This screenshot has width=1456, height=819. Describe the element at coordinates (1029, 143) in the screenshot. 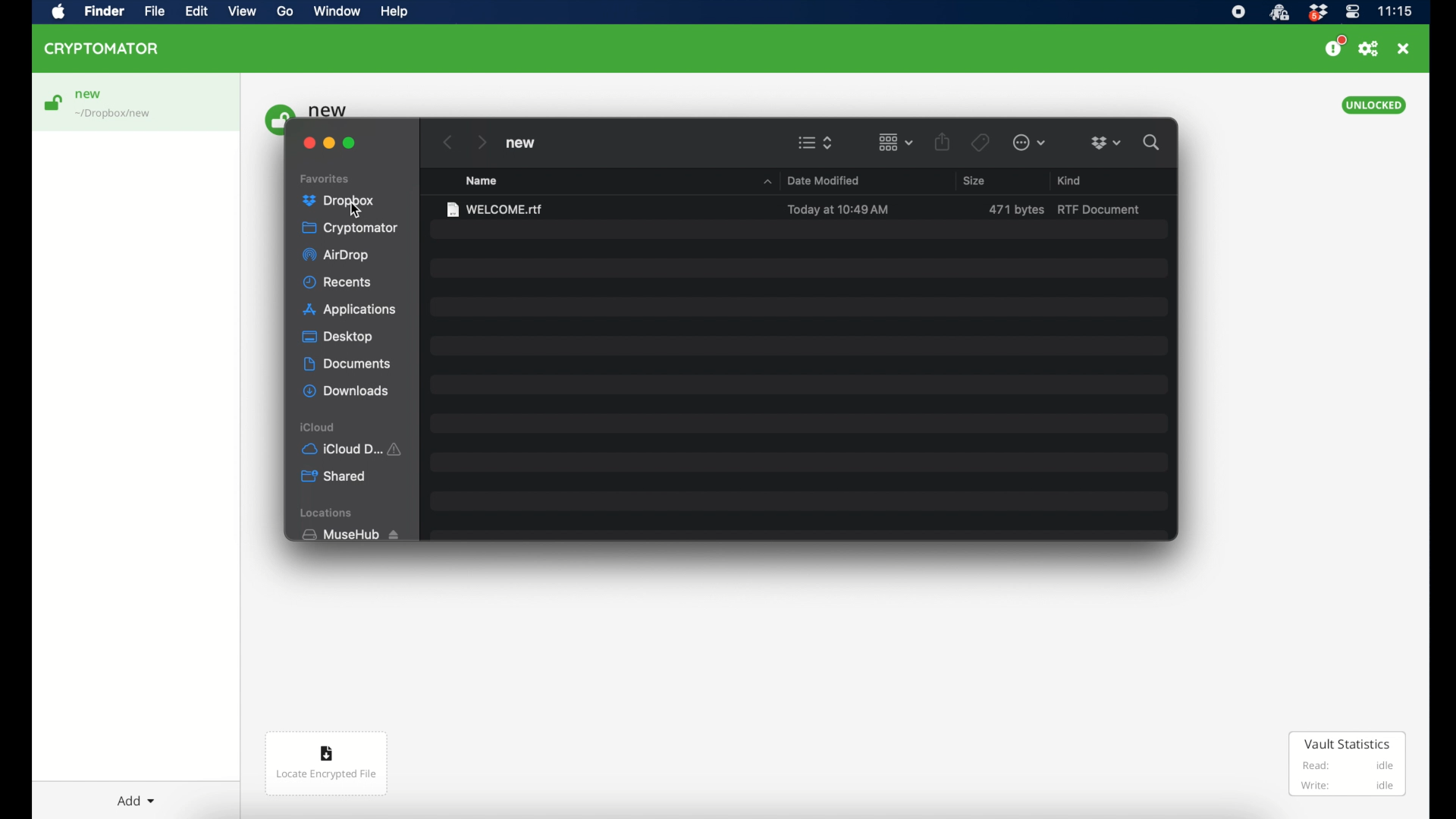

I see `more options` at that location.